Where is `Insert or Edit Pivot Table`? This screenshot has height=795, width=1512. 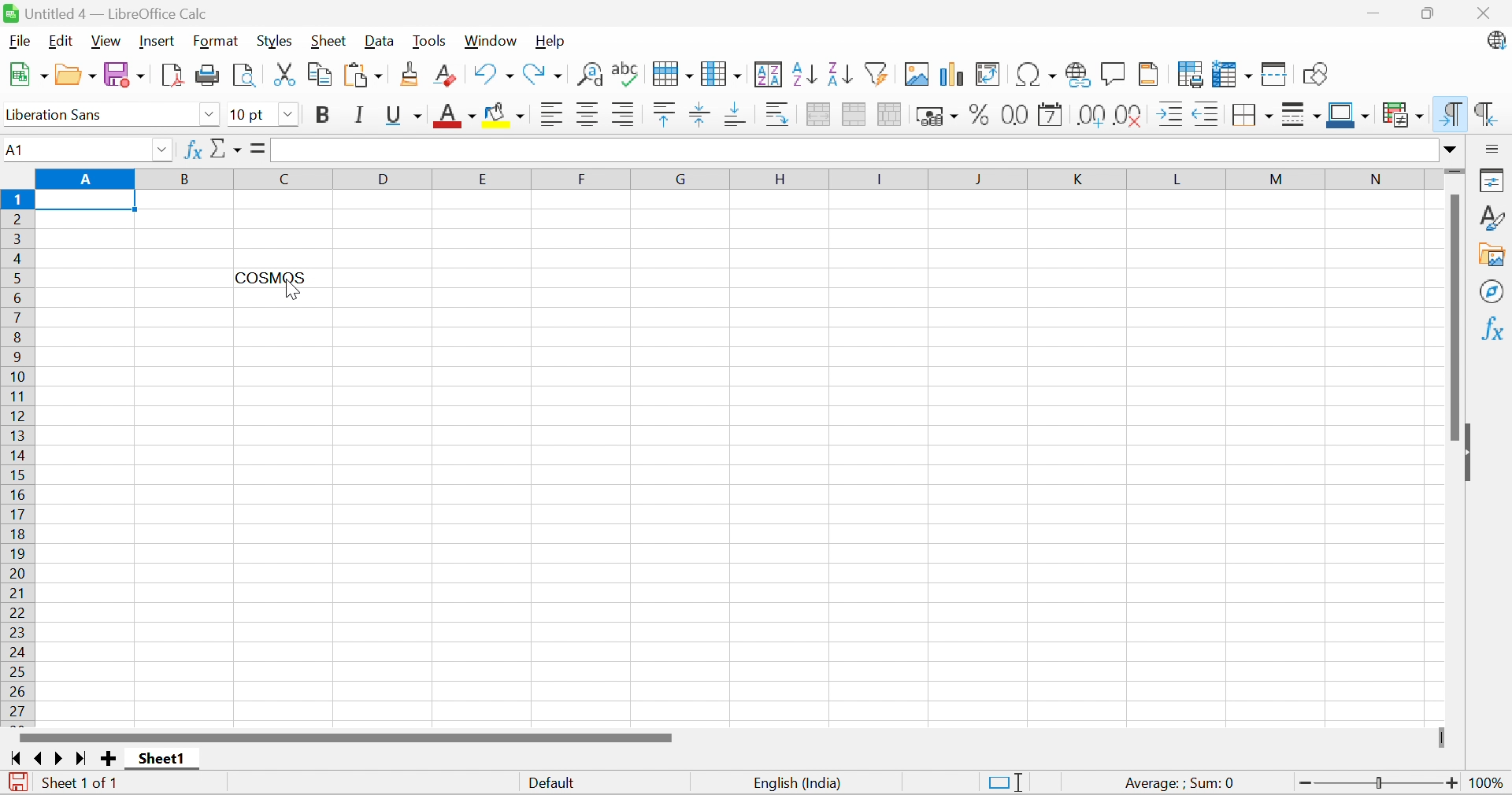
Insert or Edit Pivot Table is located at coordinates (991, 74).